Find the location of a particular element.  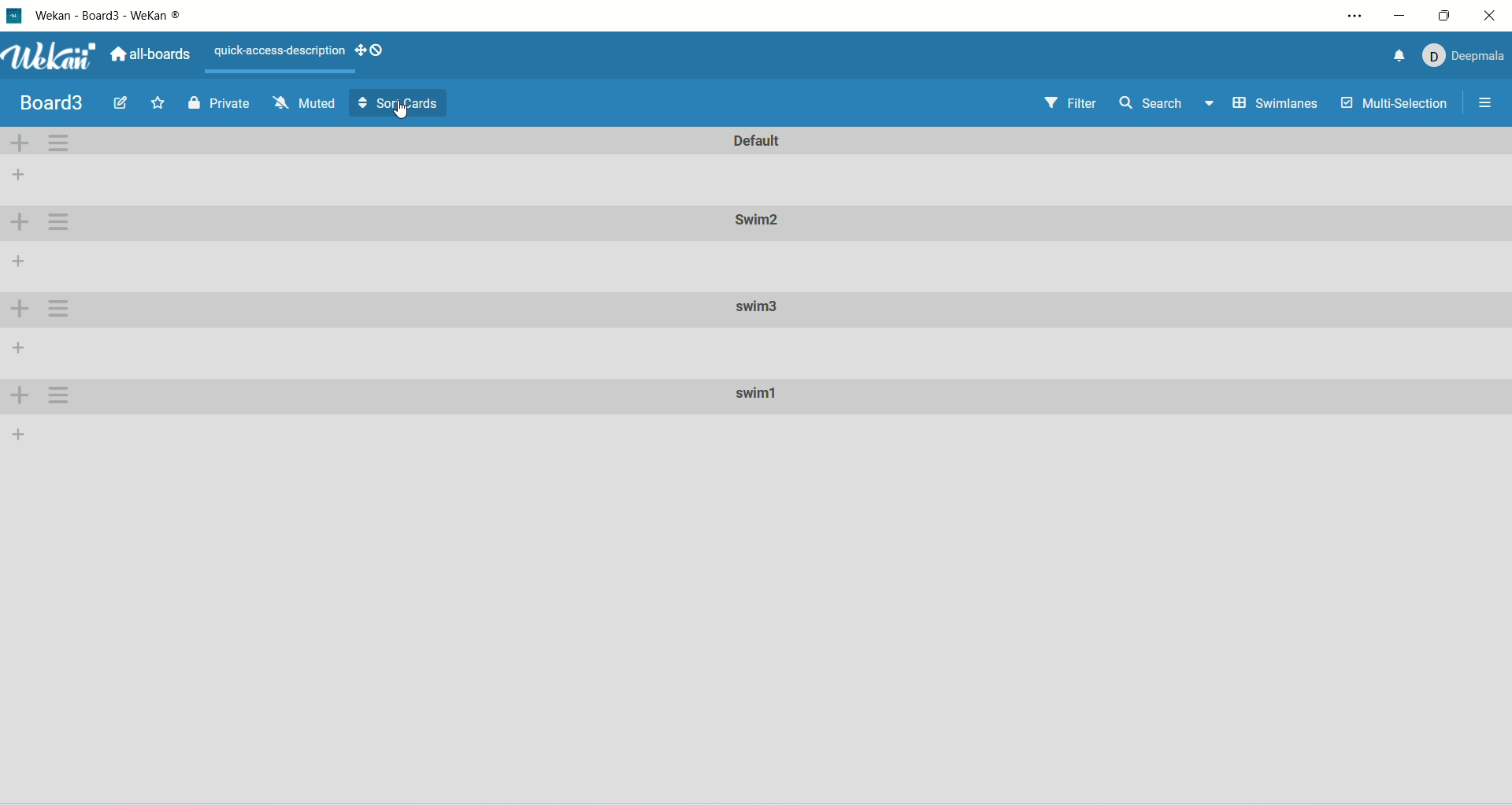

swim3 is located at coordinates (758, 307).